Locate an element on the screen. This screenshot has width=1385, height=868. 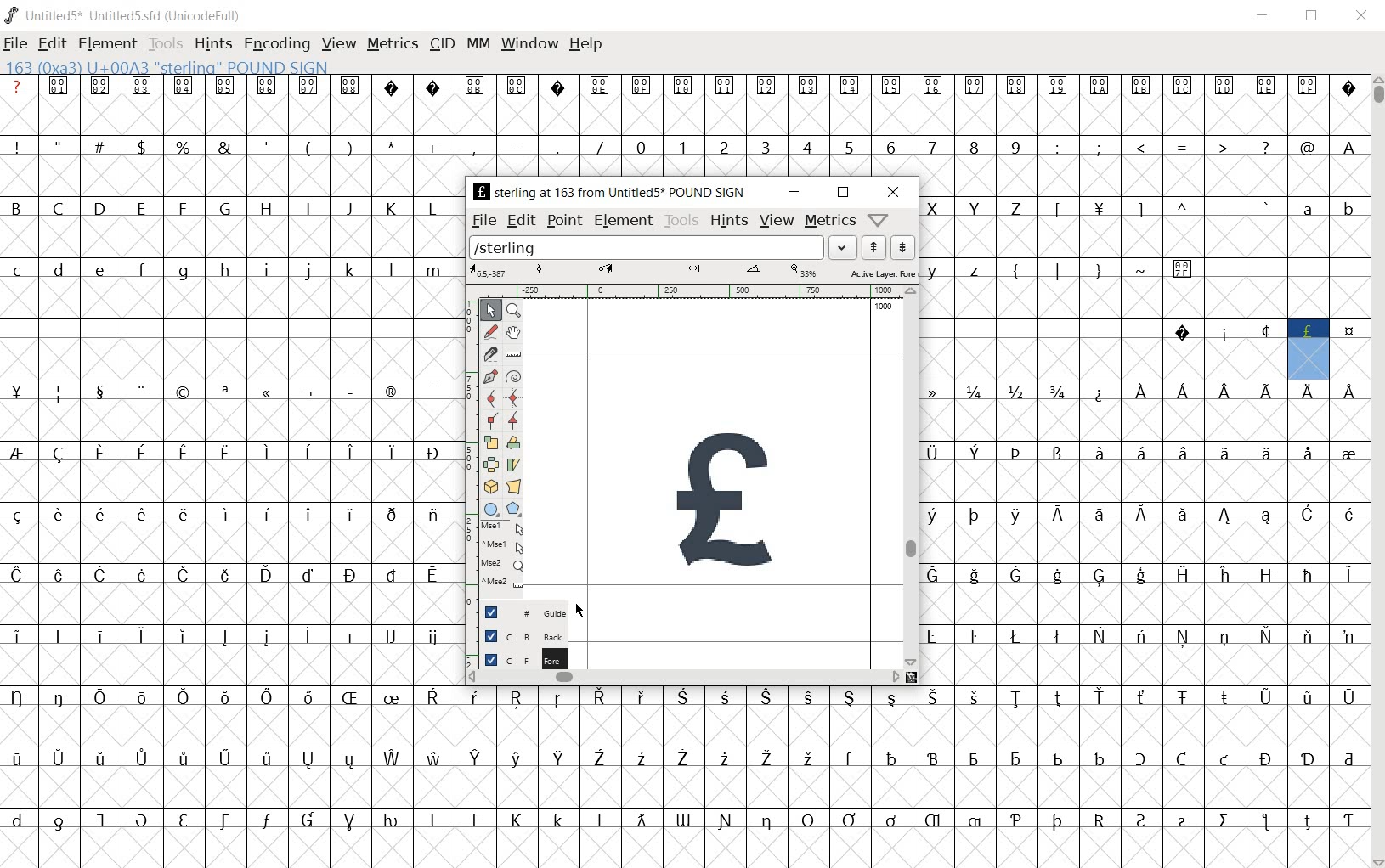
Help/Window is located at coordinates (879, 220).